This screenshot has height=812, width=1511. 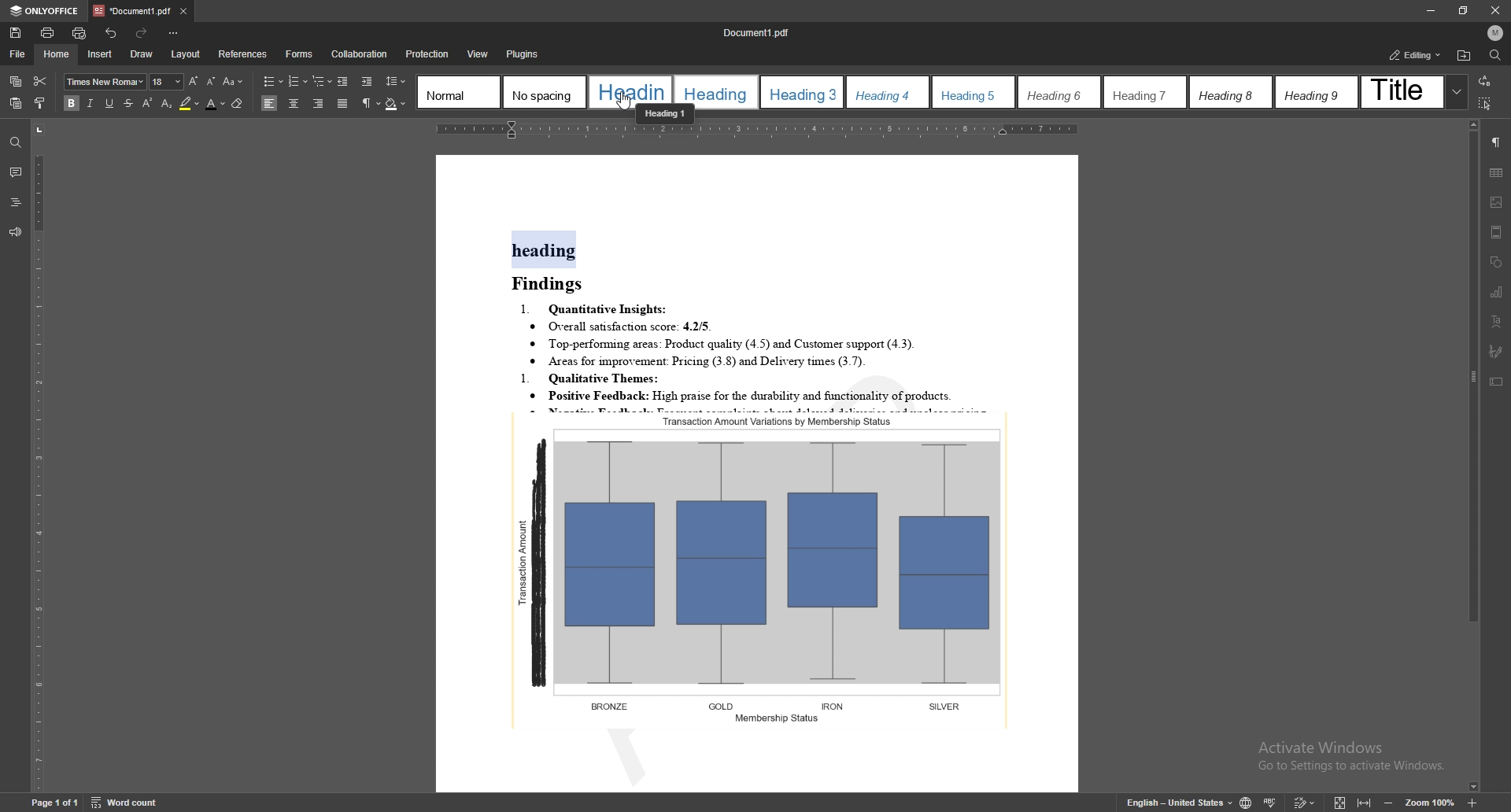 What do you see at coordinates (106, 81) in the screenshot?
I see `font type` at bounding box center [106, 81].